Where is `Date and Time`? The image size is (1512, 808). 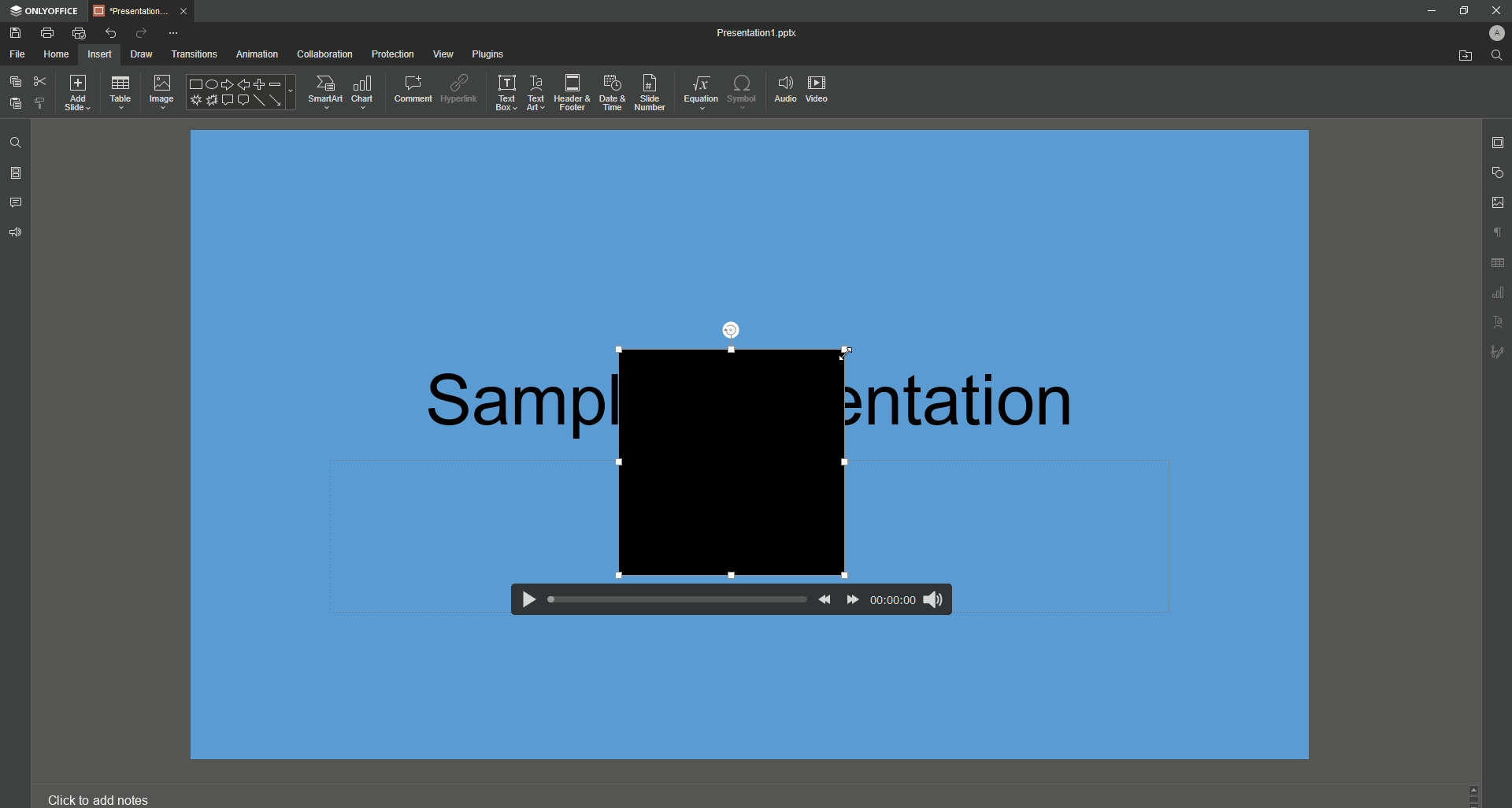
Date and Time is located at coordinates (614, 94).